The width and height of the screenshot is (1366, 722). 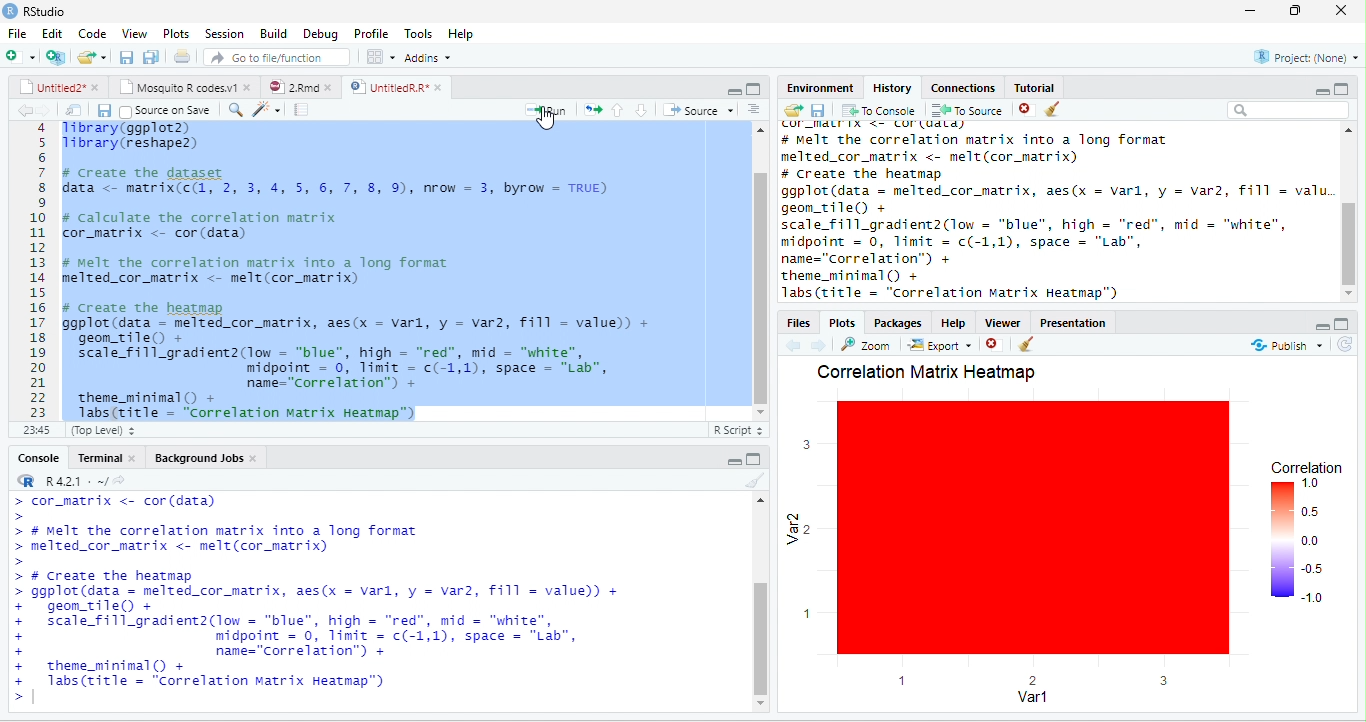 What do you see at coordinates (181, 56) in the screenshot?
I see `document` at bounding box center [181, 56].